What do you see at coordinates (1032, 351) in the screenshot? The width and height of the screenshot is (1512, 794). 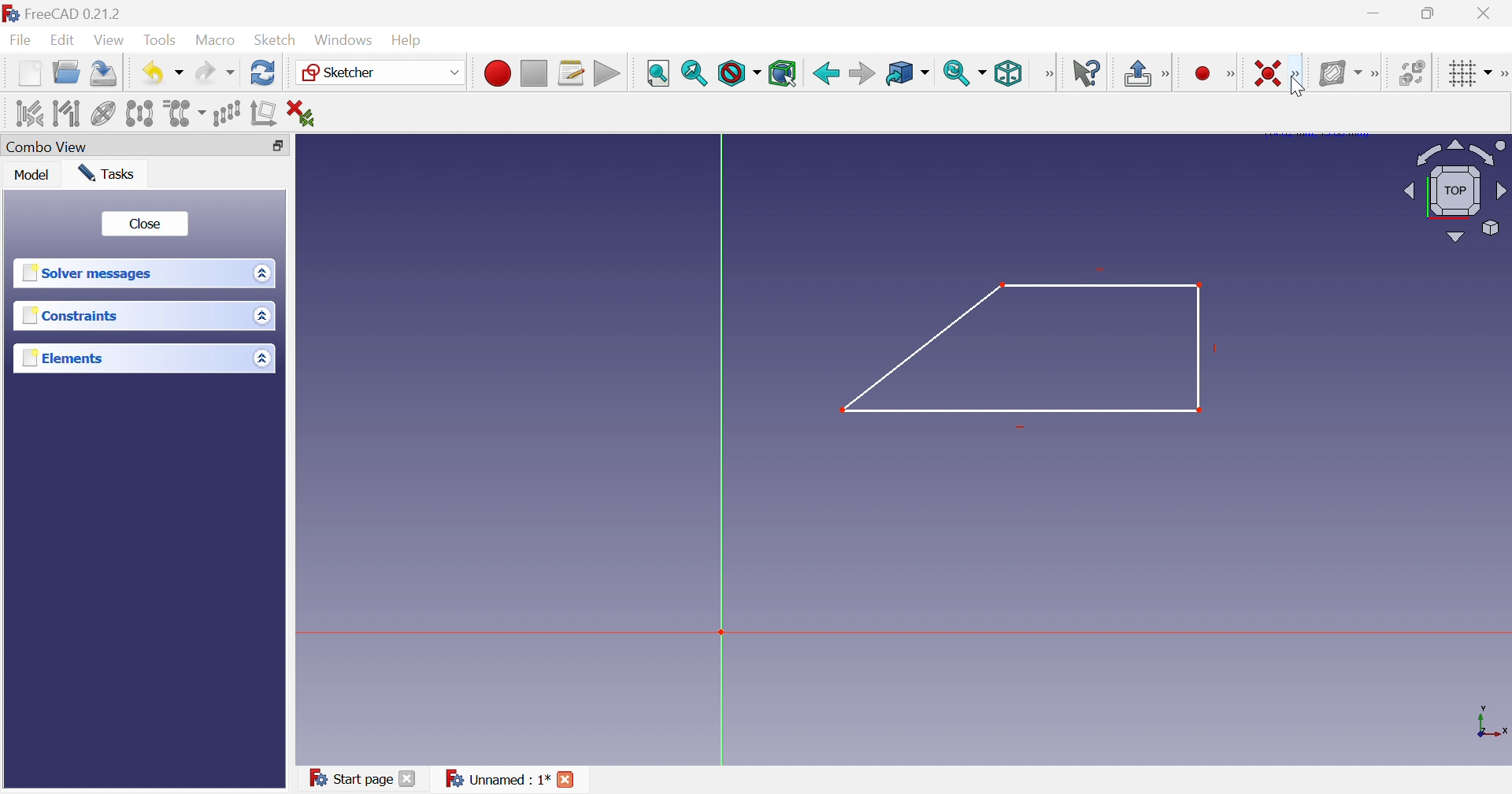 I see `Polyline` at bounding box center [1032, 351].